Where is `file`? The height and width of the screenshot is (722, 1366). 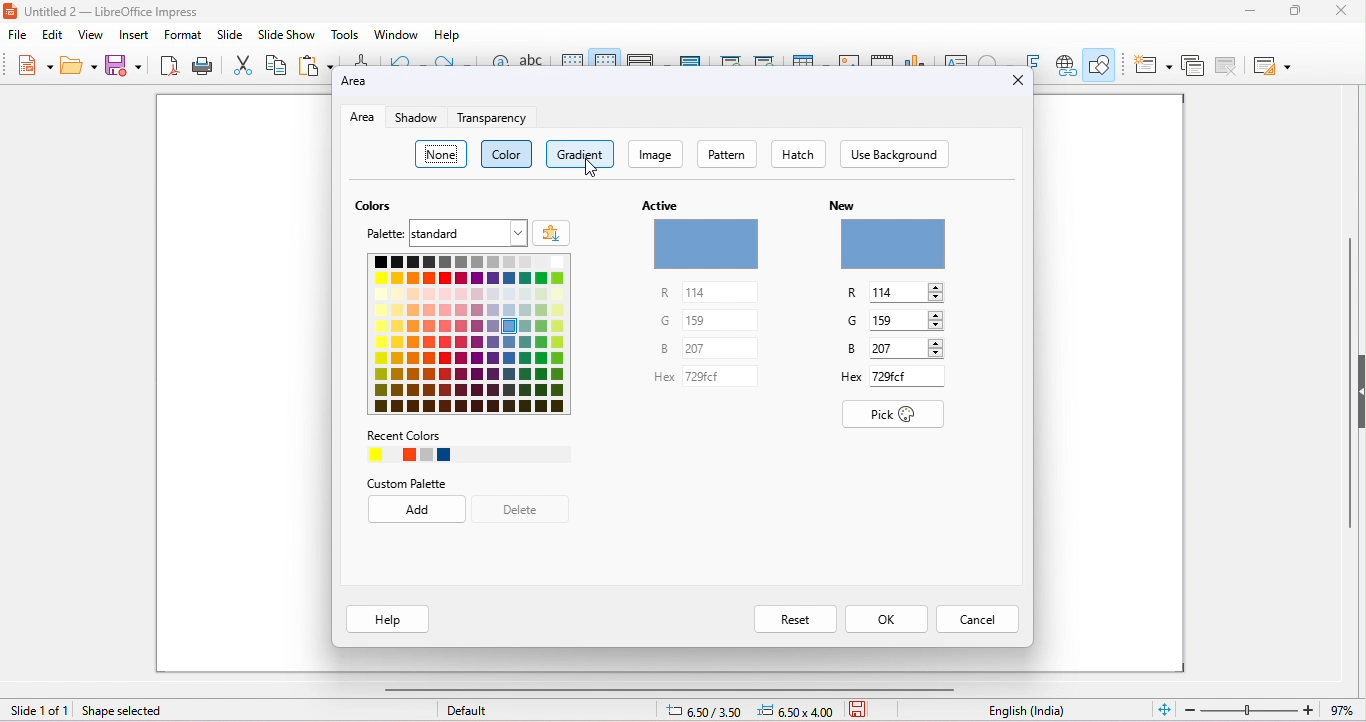 file is located at coordinates (17, 35).